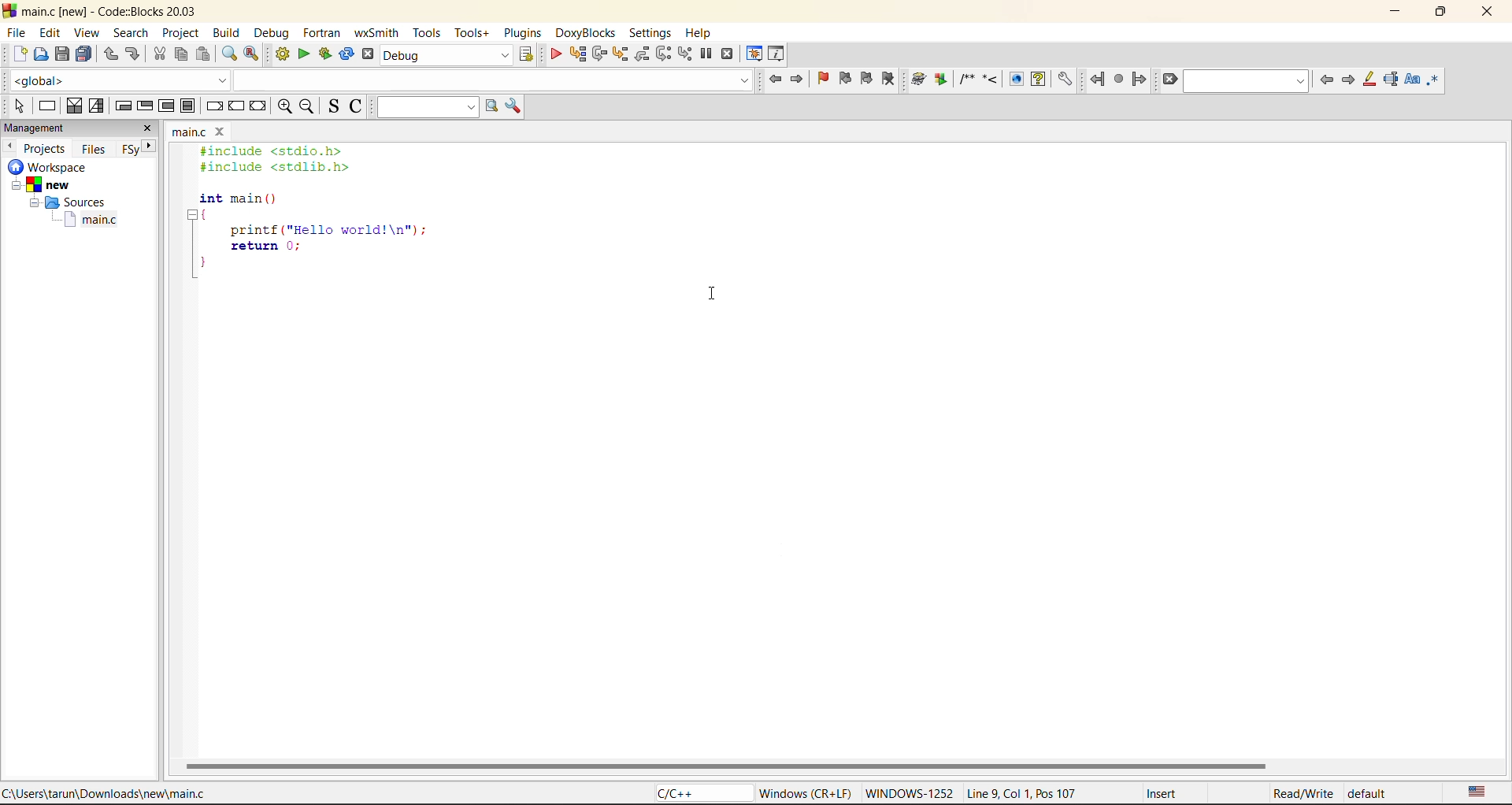  What do you see at coordinates (160, 54) in the screenshot?
I see `cut` at bounding box center [160, 54].